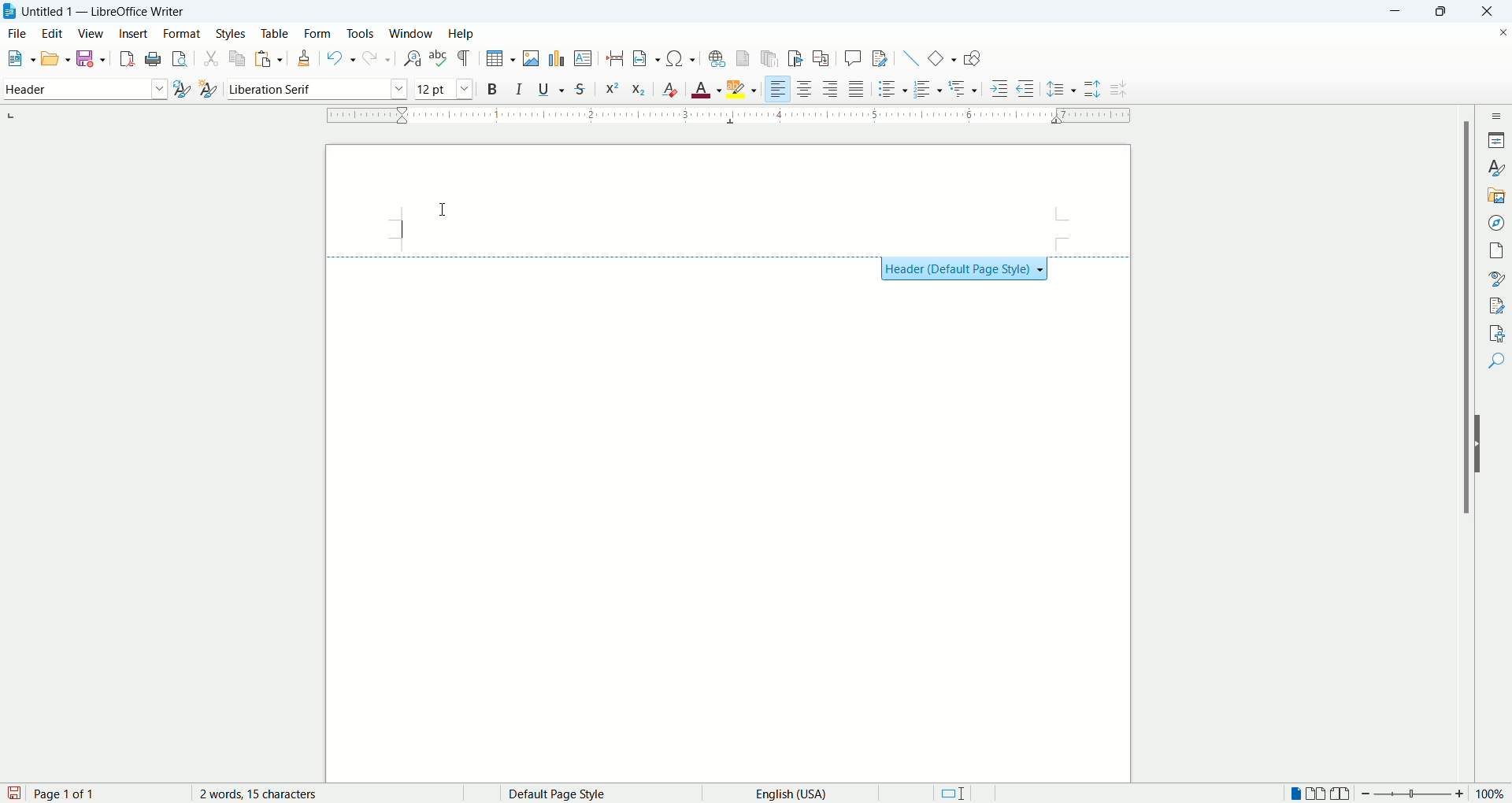 The height and width of the screenshot is (803, 1512). Describe the element at coordinates (1497, 139) in the screenshot. I see `properties` at that location.